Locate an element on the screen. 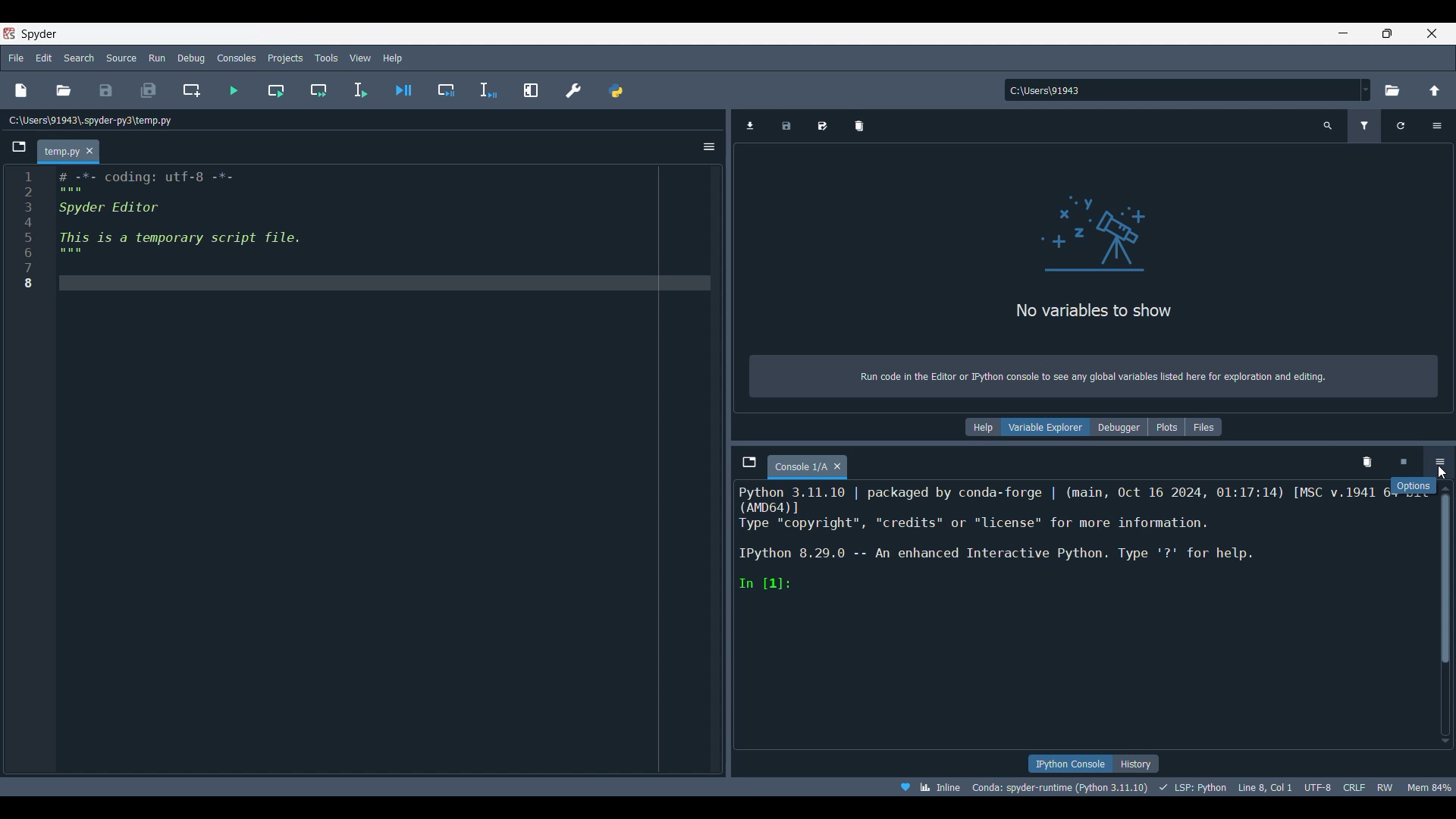  File location is located at coordinates (92, 121).